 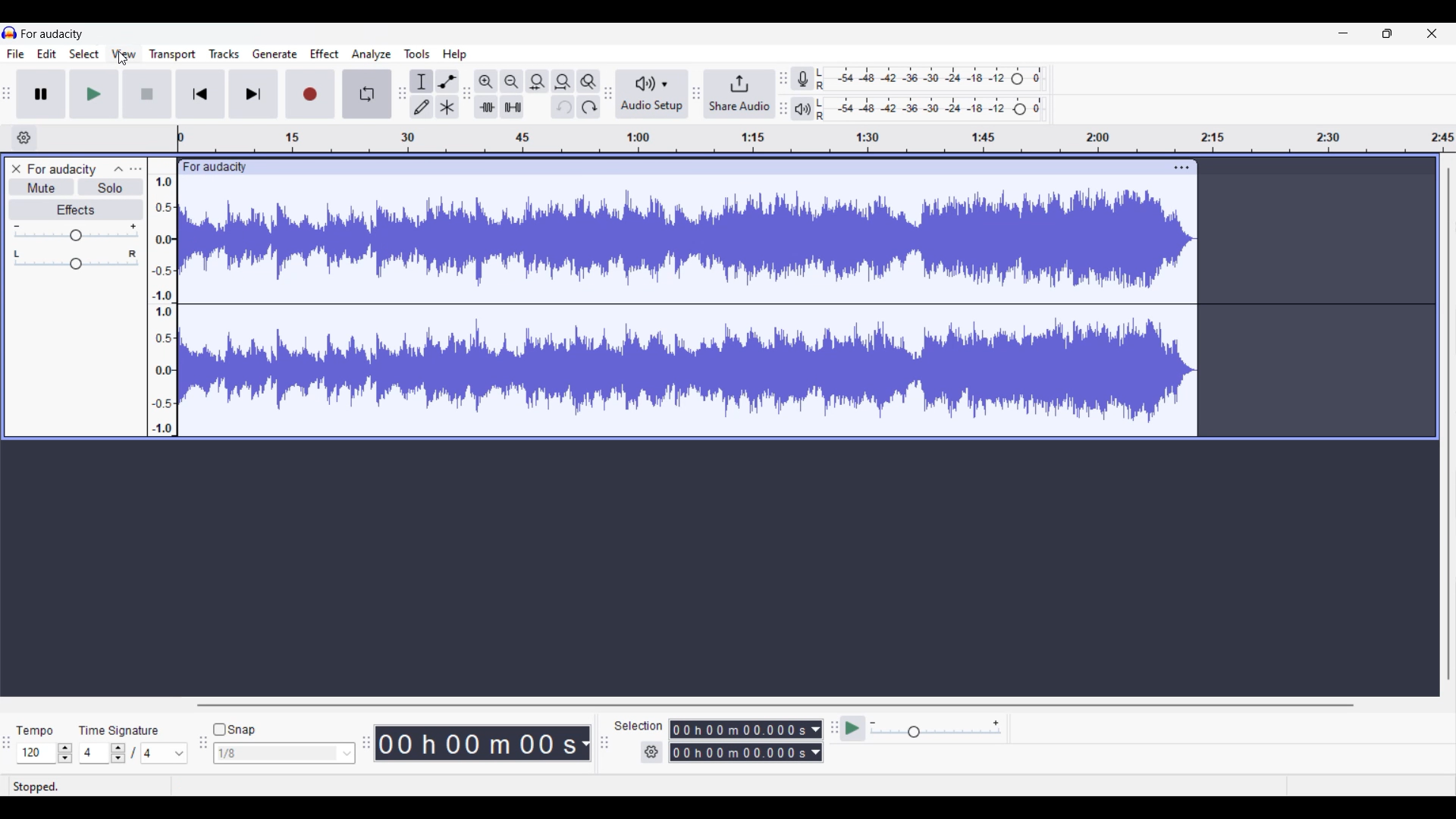 I want to click on for audacity, so click(x=52, y=34).